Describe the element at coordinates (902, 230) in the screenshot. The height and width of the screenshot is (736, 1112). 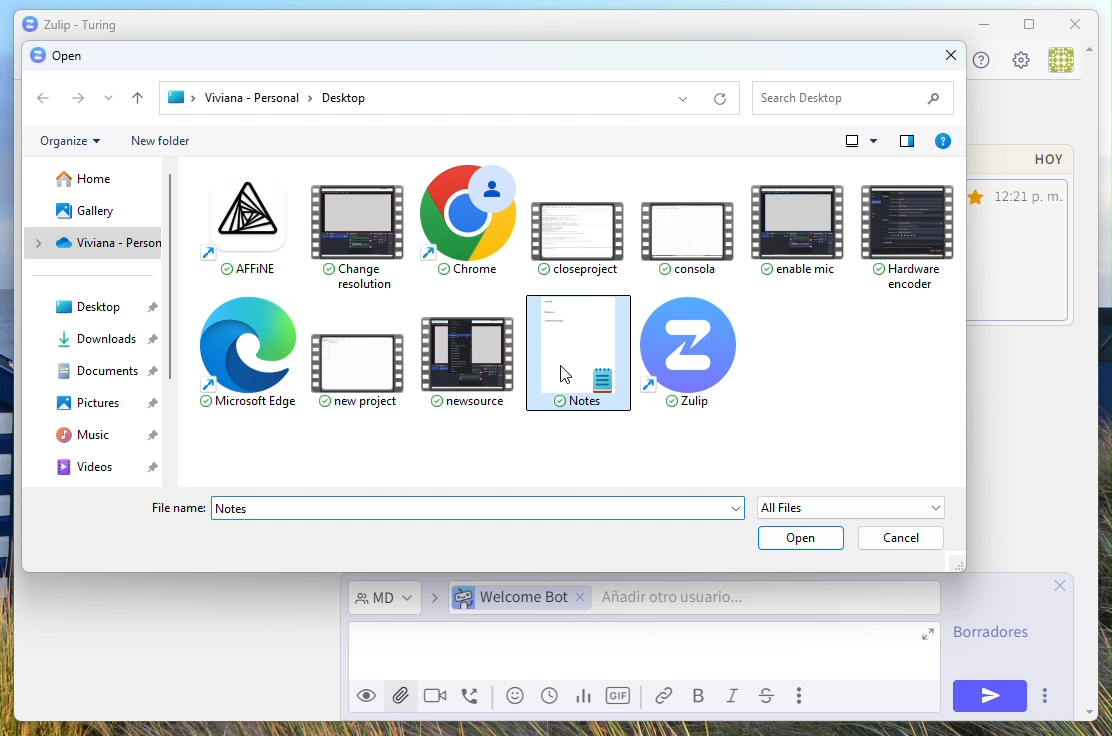
I see `hardware encoder` at that location.